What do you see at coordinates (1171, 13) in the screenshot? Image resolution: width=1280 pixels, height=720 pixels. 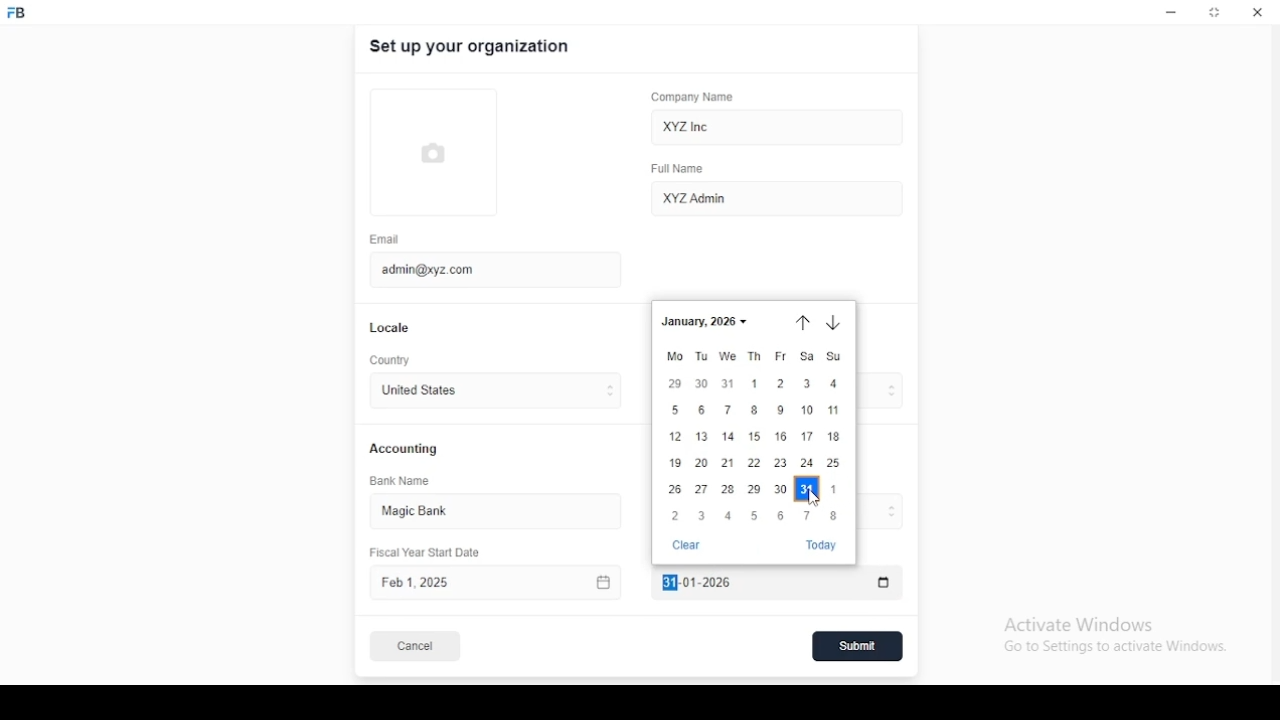 I see `minimize` at bounding box center [1171, 13].